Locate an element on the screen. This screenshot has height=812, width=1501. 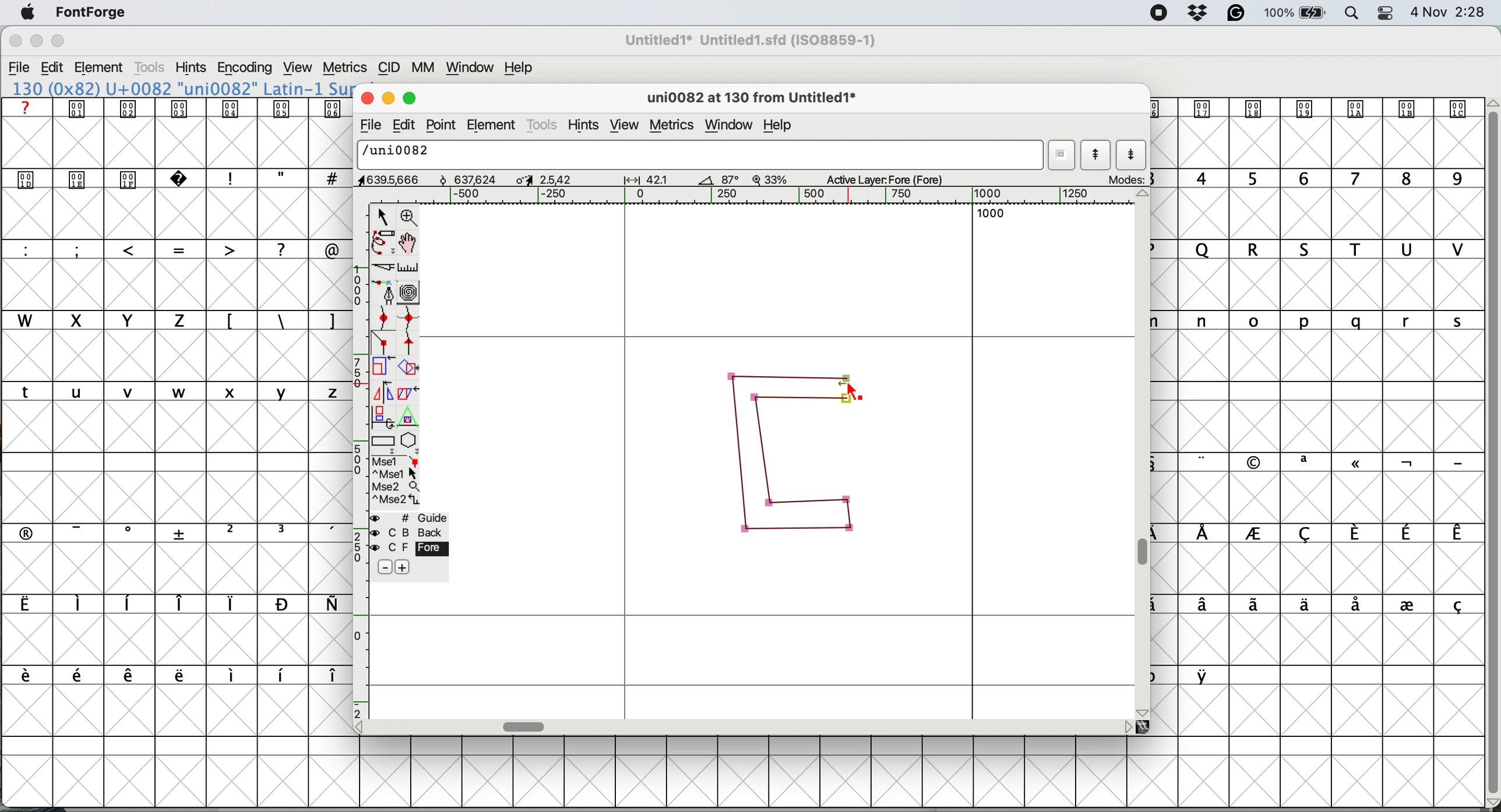
close is located at coordinates (15, 41).